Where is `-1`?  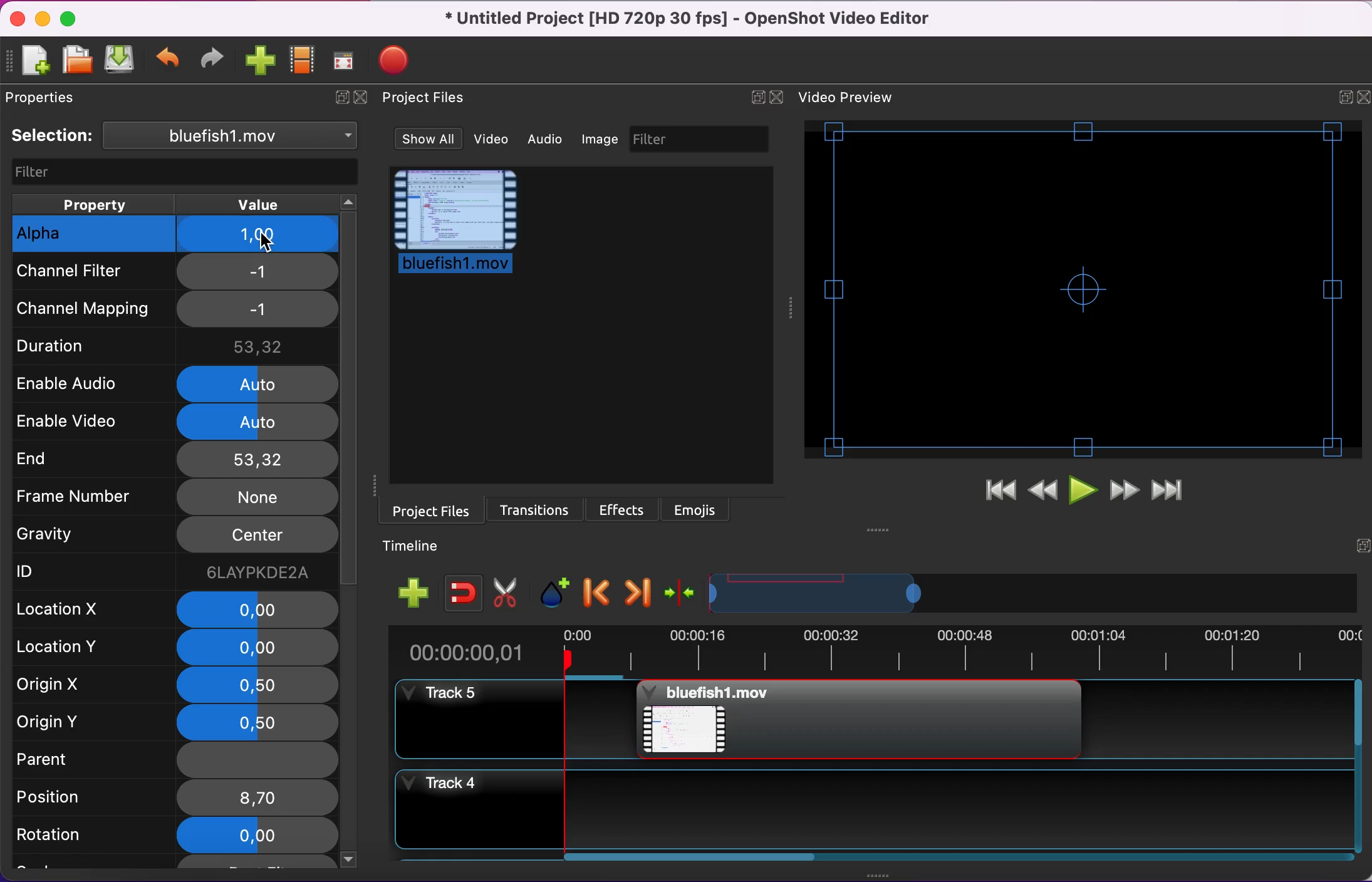
-1 is located at coordinates (257, 272).